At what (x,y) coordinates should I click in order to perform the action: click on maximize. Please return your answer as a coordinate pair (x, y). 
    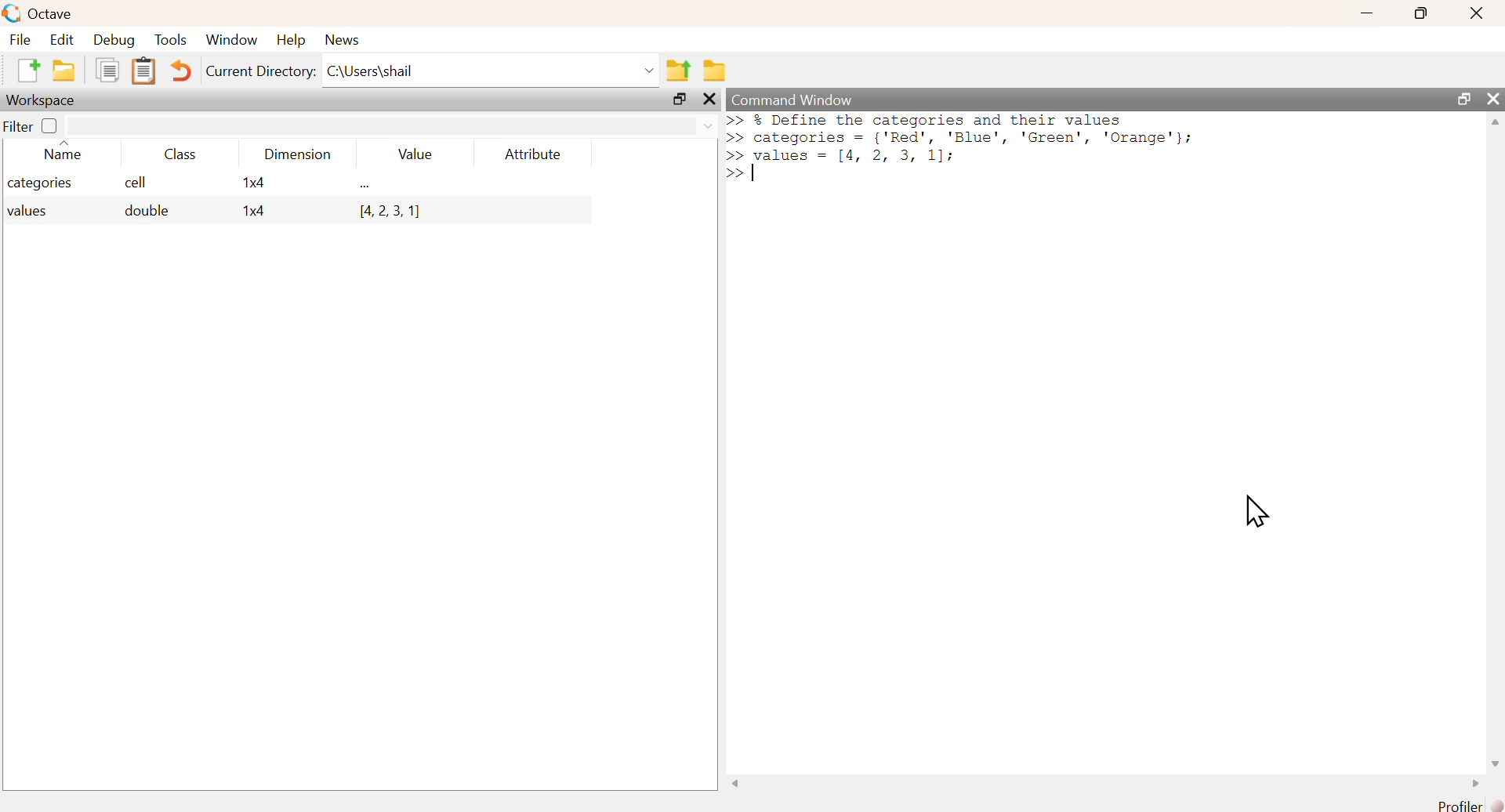
    Looking at the image, I should click on (1463, 97).